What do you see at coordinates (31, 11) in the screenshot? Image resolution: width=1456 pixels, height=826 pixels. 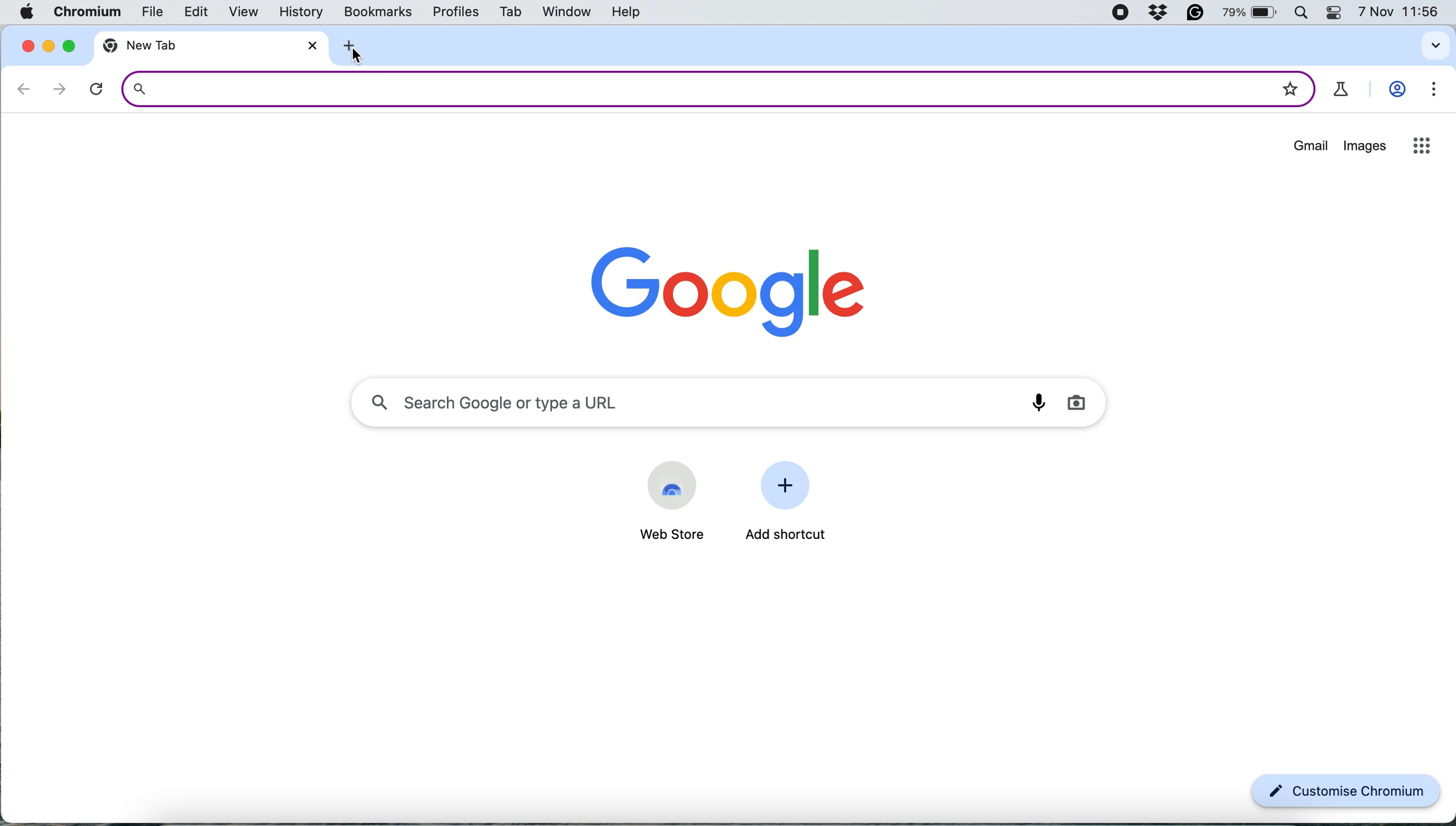 I see `system logo` at bounding box center [31, 11].